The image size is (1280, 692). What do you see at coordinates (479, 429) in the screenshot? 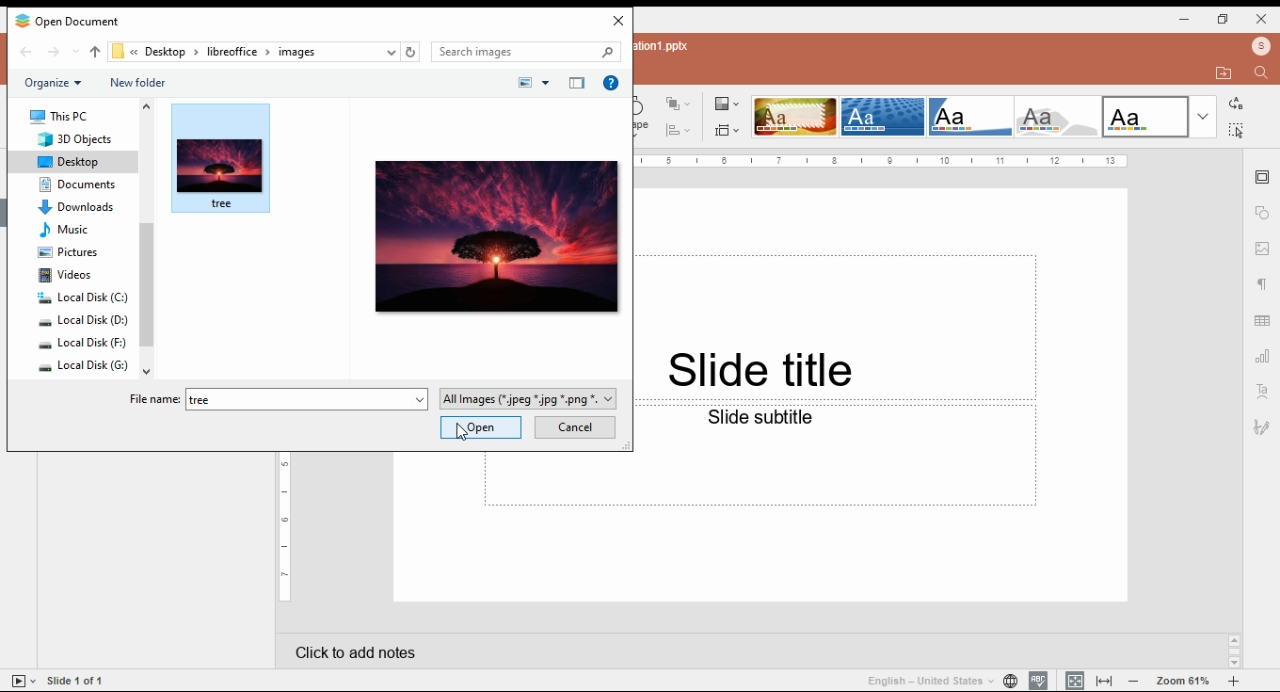
I see `open` at bounding box center [479, 429].